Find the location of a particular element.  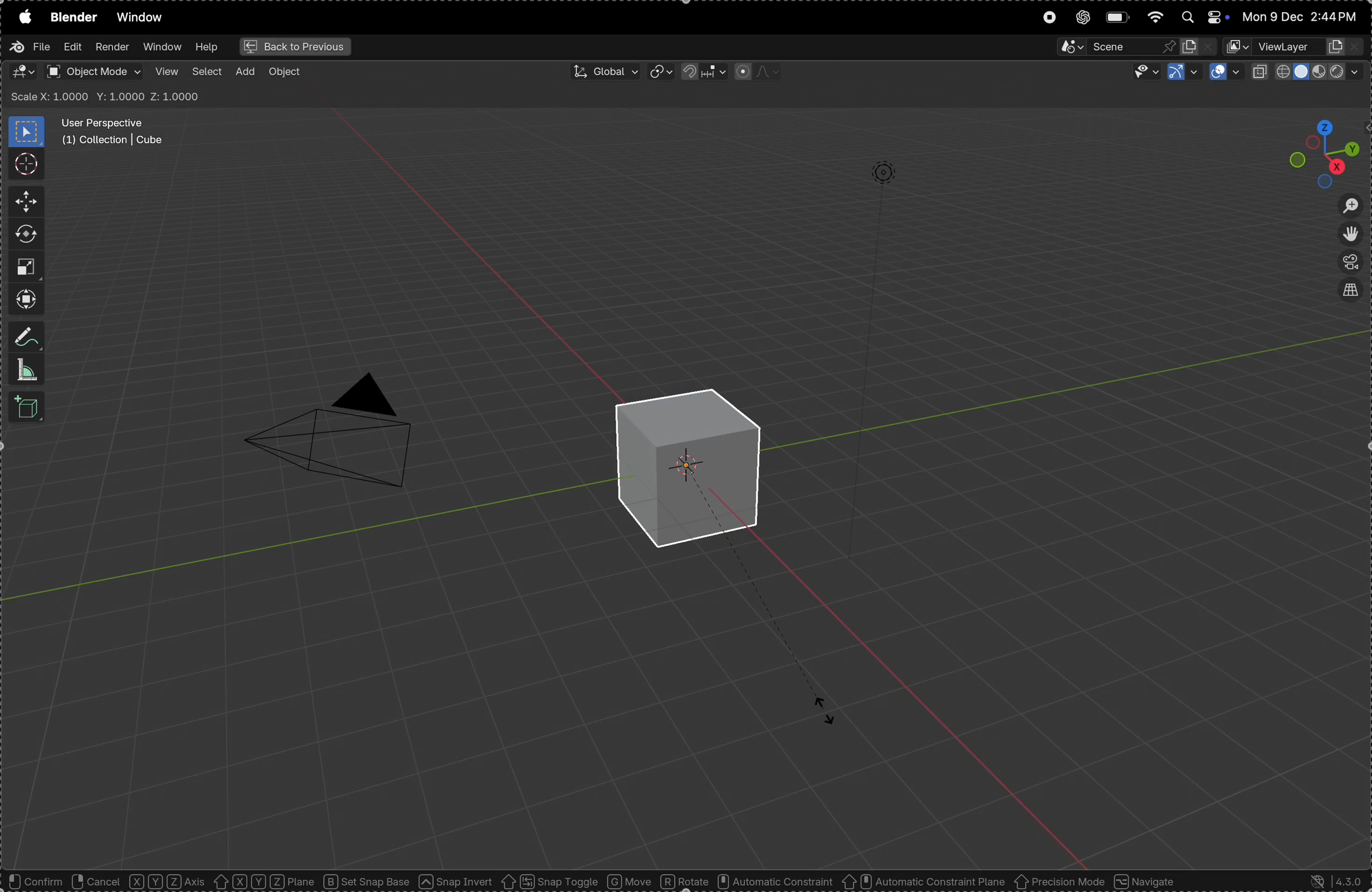

move is located at coordinates (24, 201).